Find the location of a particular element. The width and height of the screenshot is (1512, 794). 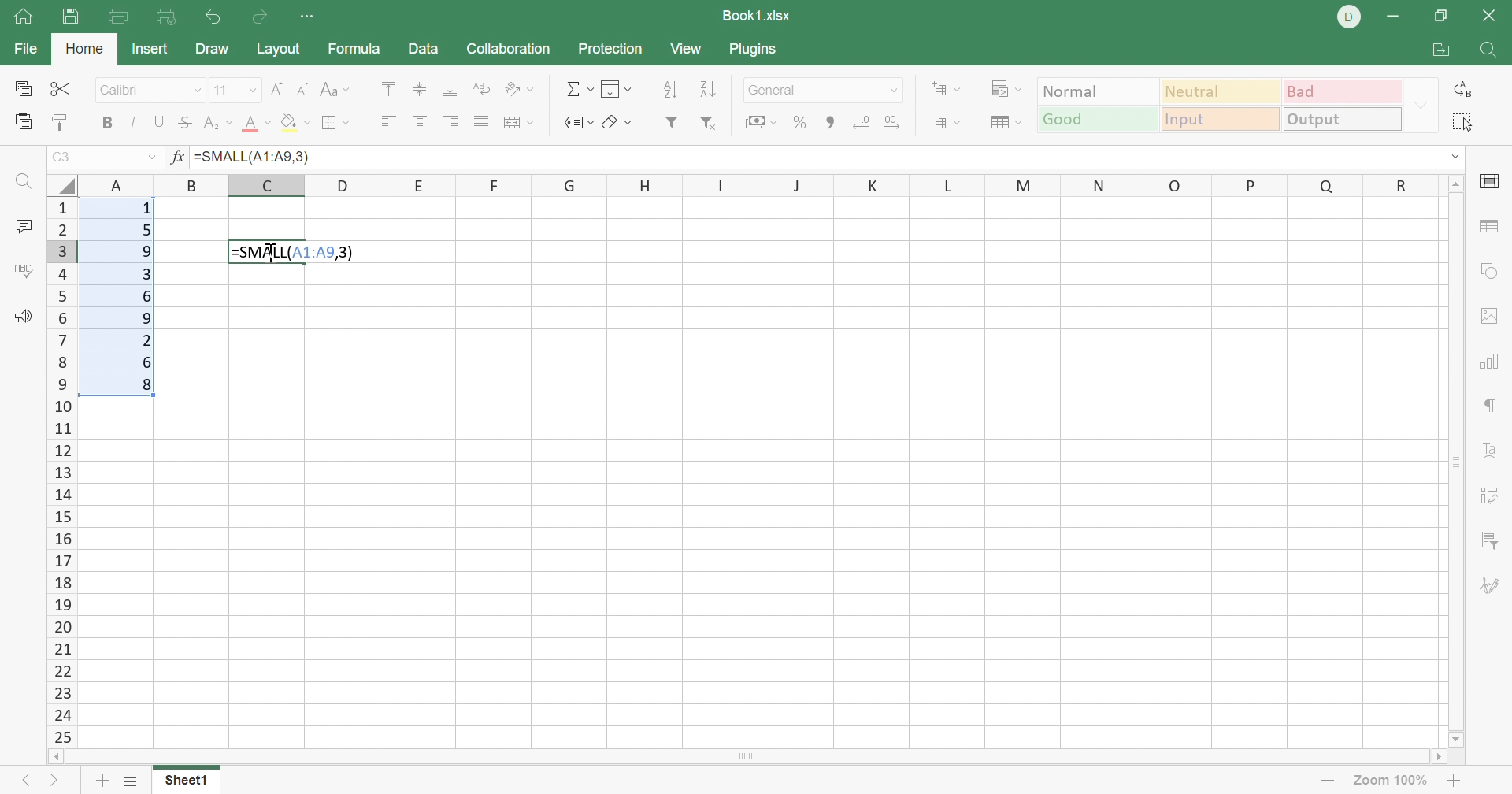

=SMALL(A1:A9,3) is located at coordinates (294, 253).